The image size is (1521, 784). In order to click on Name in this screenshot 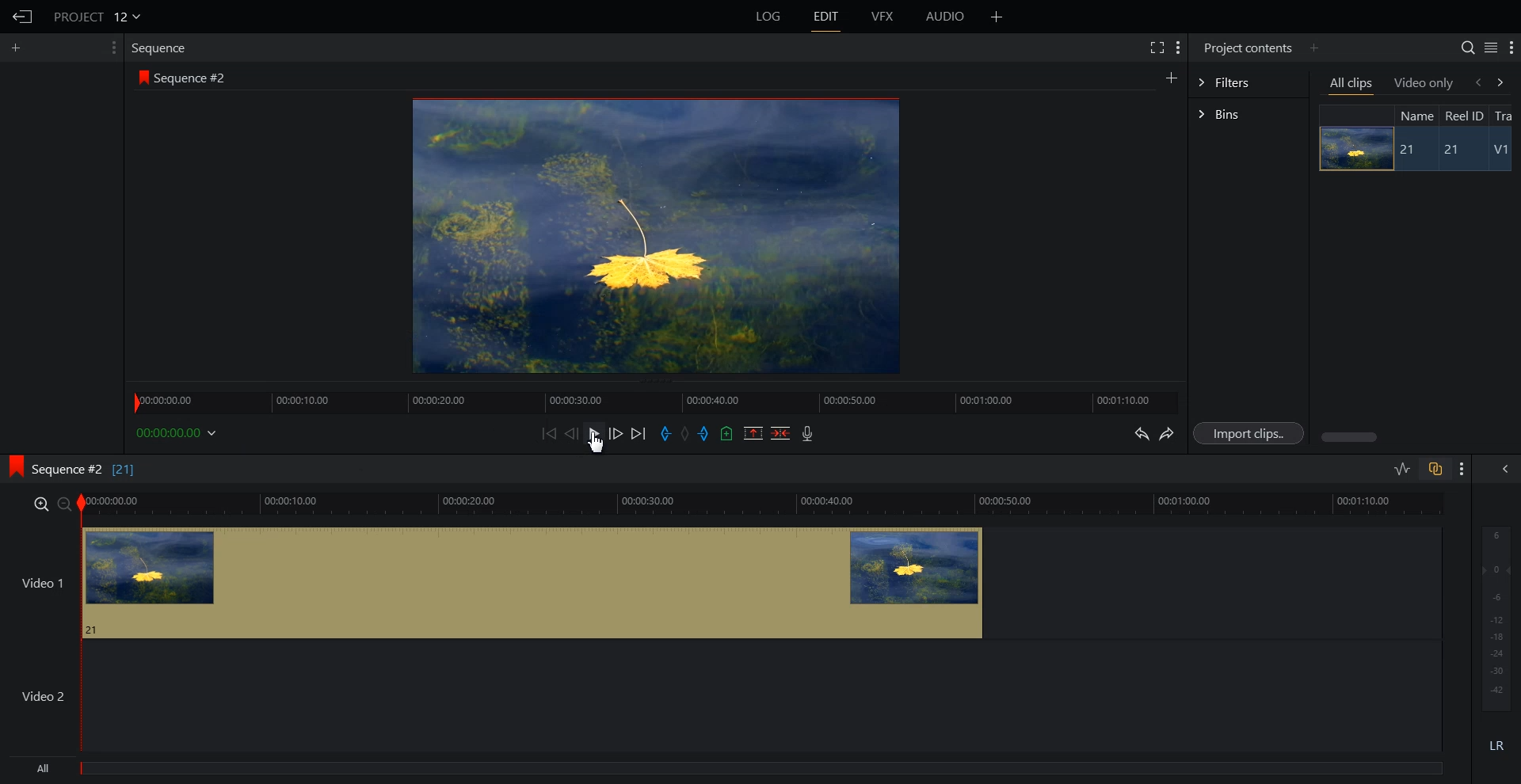, I will do `click(1415, 115)`.